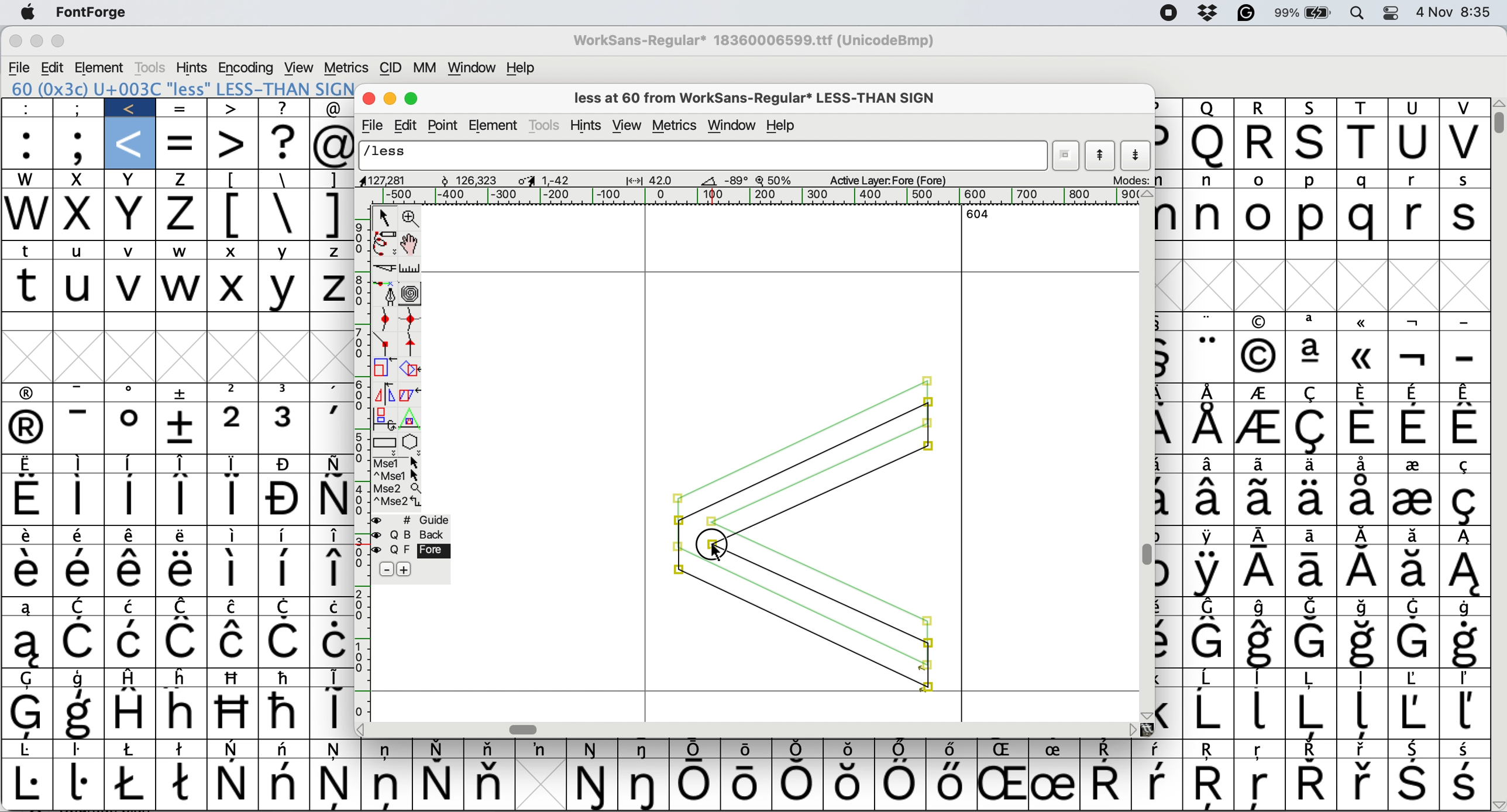 This screenshot has width=1507, height=812. What do you see at coordinates (1107, 750) in the screenshot?
I see `Symbol` at bounding box center [1107, 750].